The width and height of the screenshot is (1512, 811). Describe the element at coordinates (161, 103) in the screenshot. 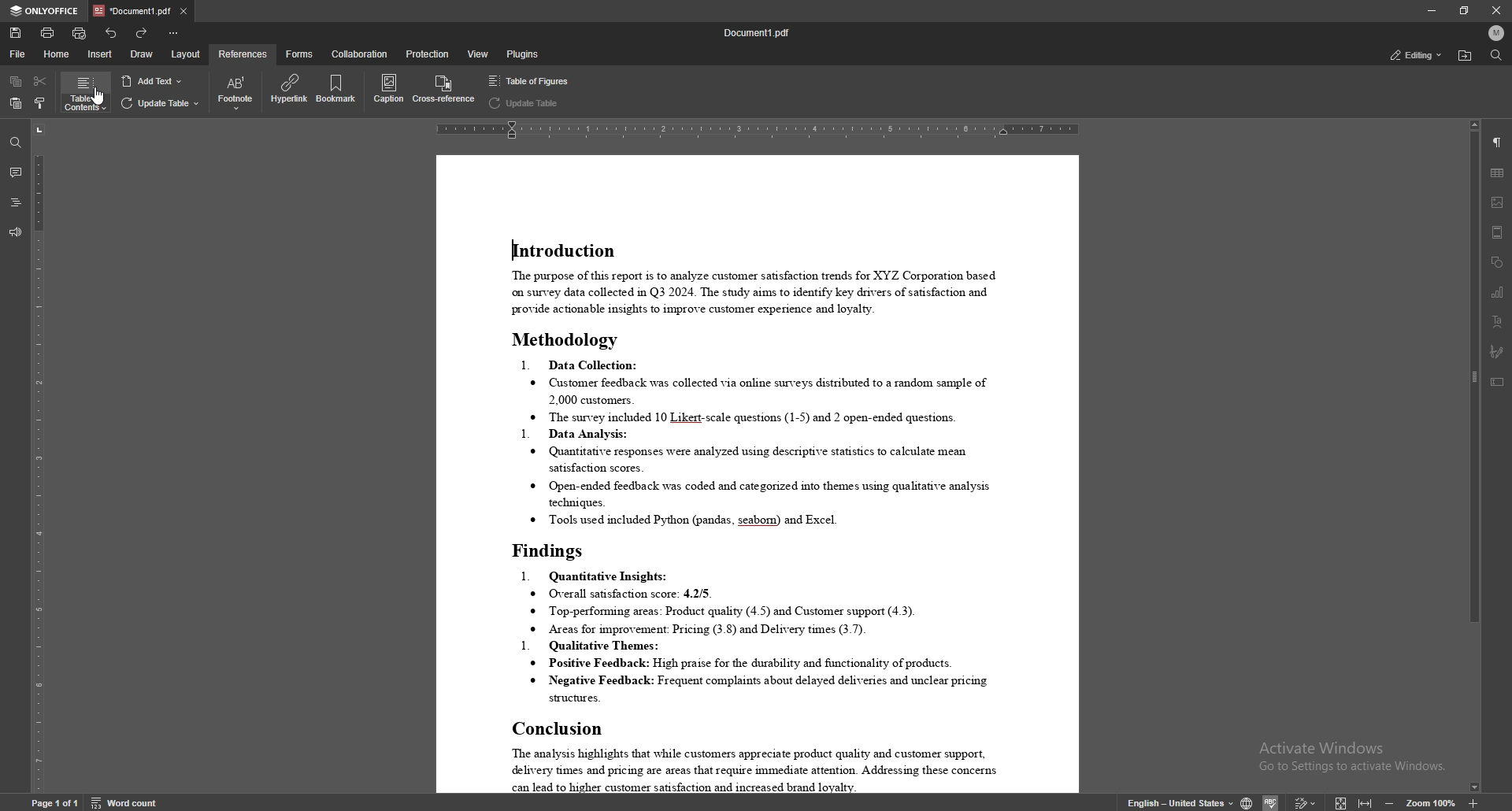

I see `update table` at that location.